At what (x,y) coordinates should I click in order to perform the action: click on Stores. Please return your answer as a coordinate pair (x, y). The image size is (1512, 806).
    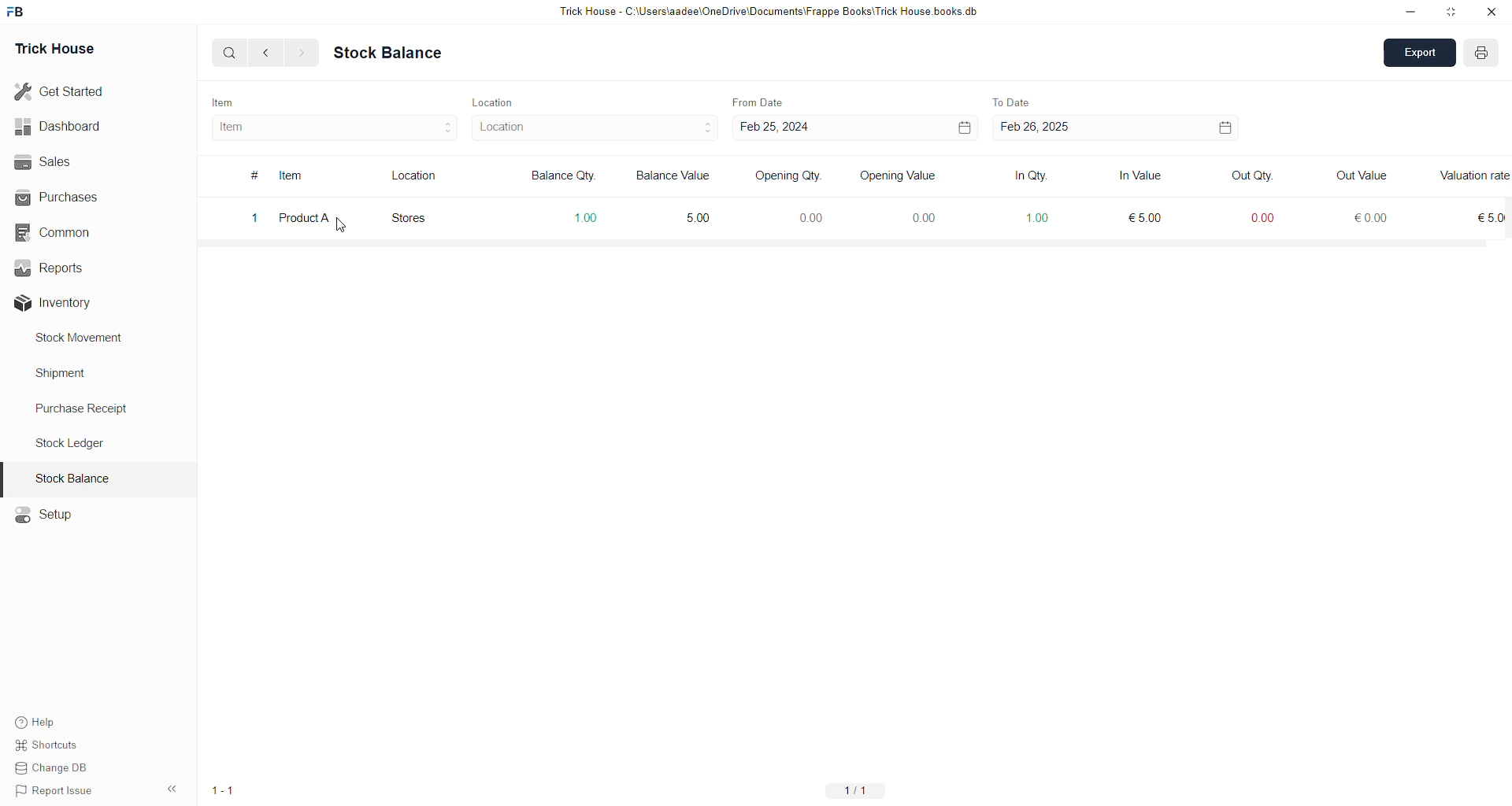
    Looking at the image, I should click on (402, 217).